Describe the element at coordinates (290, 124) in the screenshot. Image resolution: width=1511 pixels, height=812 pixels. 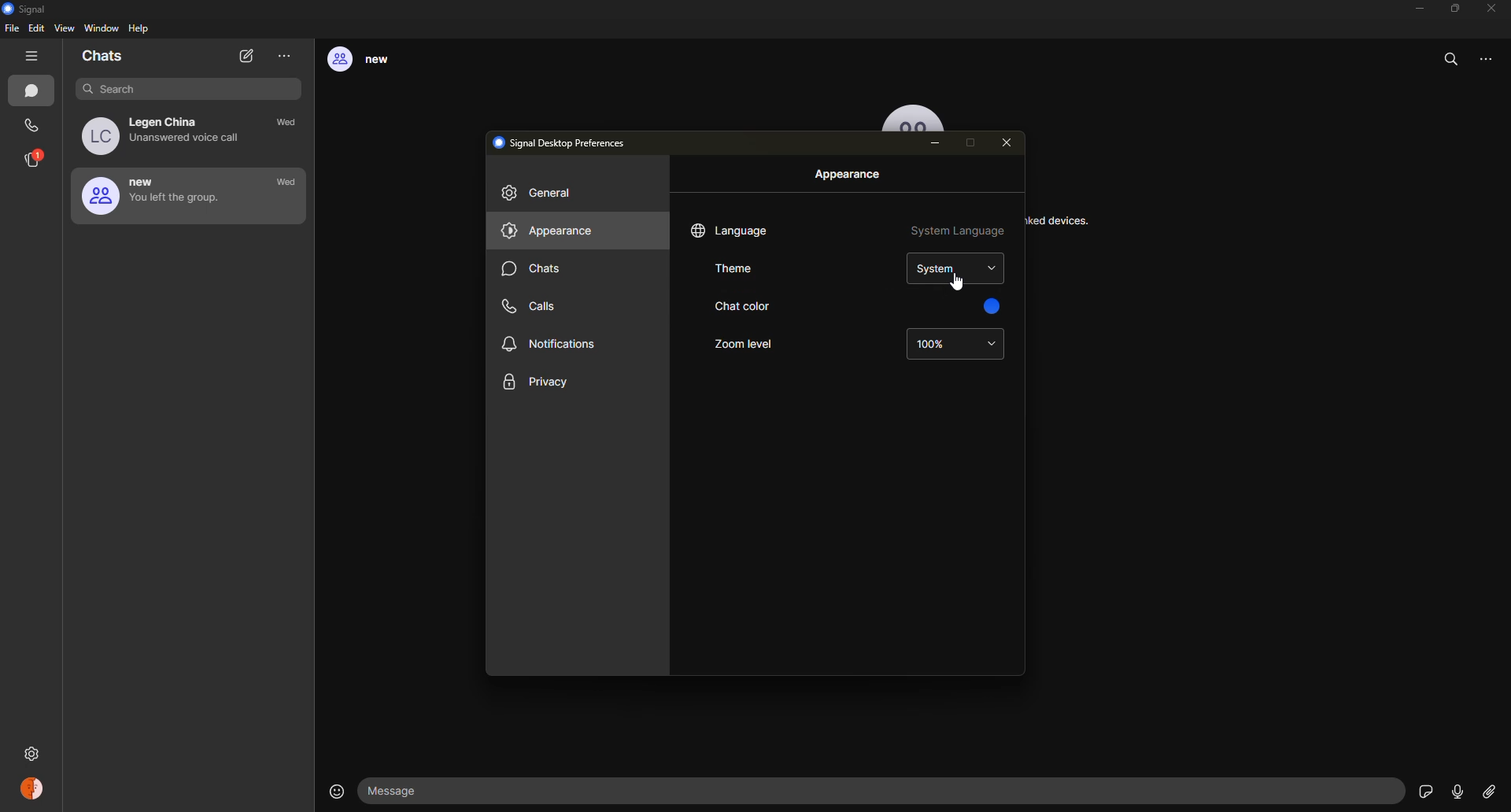
I see `wed` at that location.